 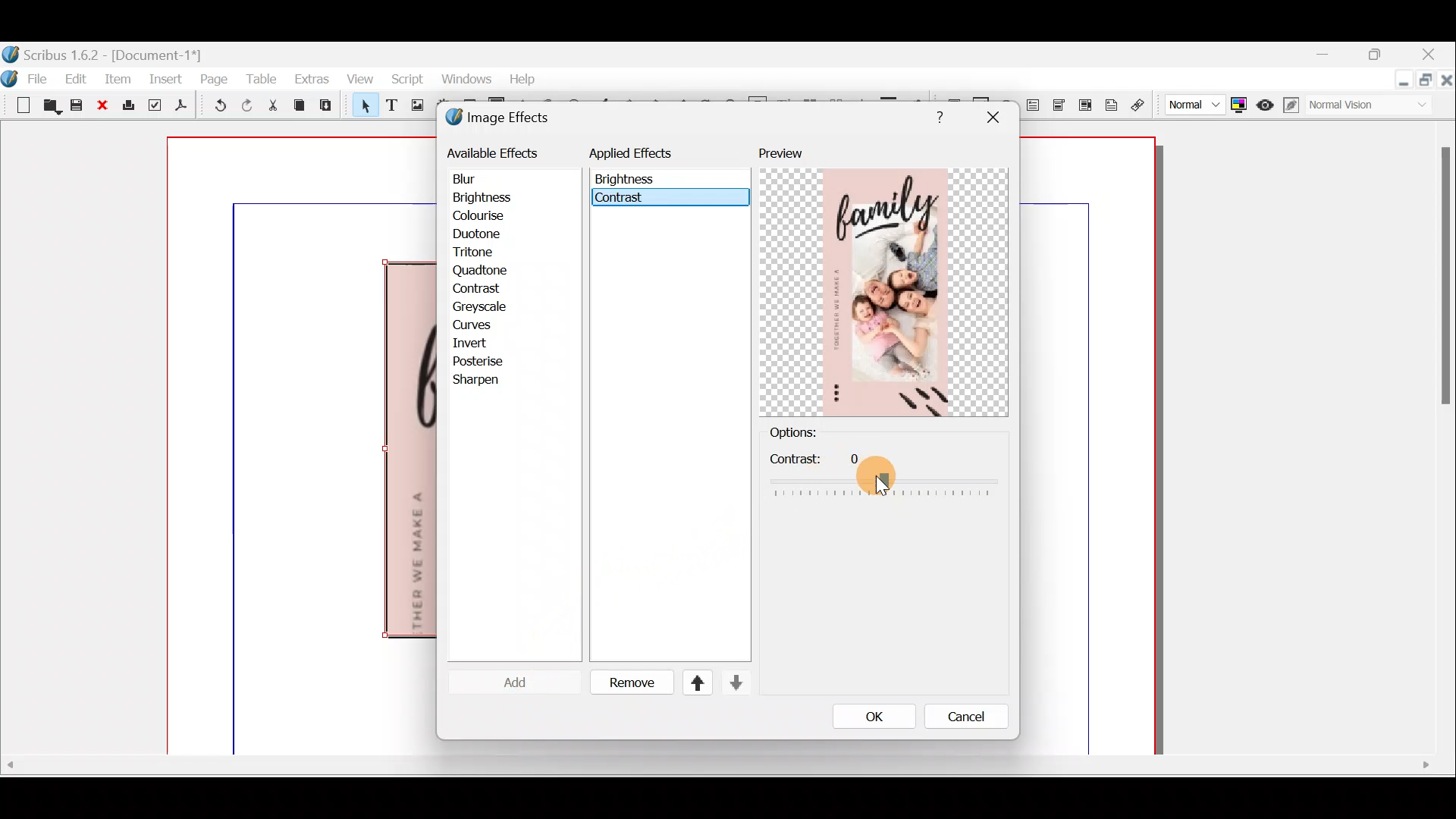 What do you see at coordinates (481, 272) in the screenshot?
I see `Quatone` at bounding box center [481, 272].